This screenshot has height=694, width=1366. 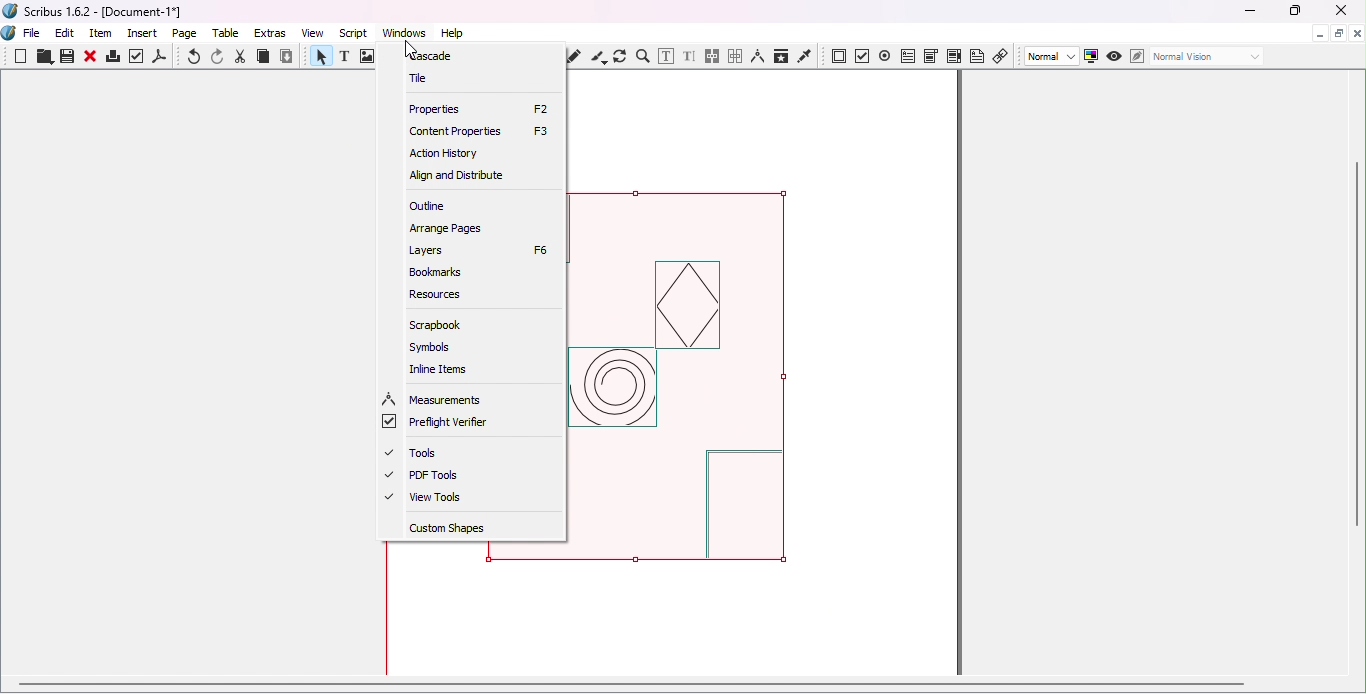 What do you see at coordinates (273, 33) in the screenshot?
I see `Extras` at bounding box center [273, 33].